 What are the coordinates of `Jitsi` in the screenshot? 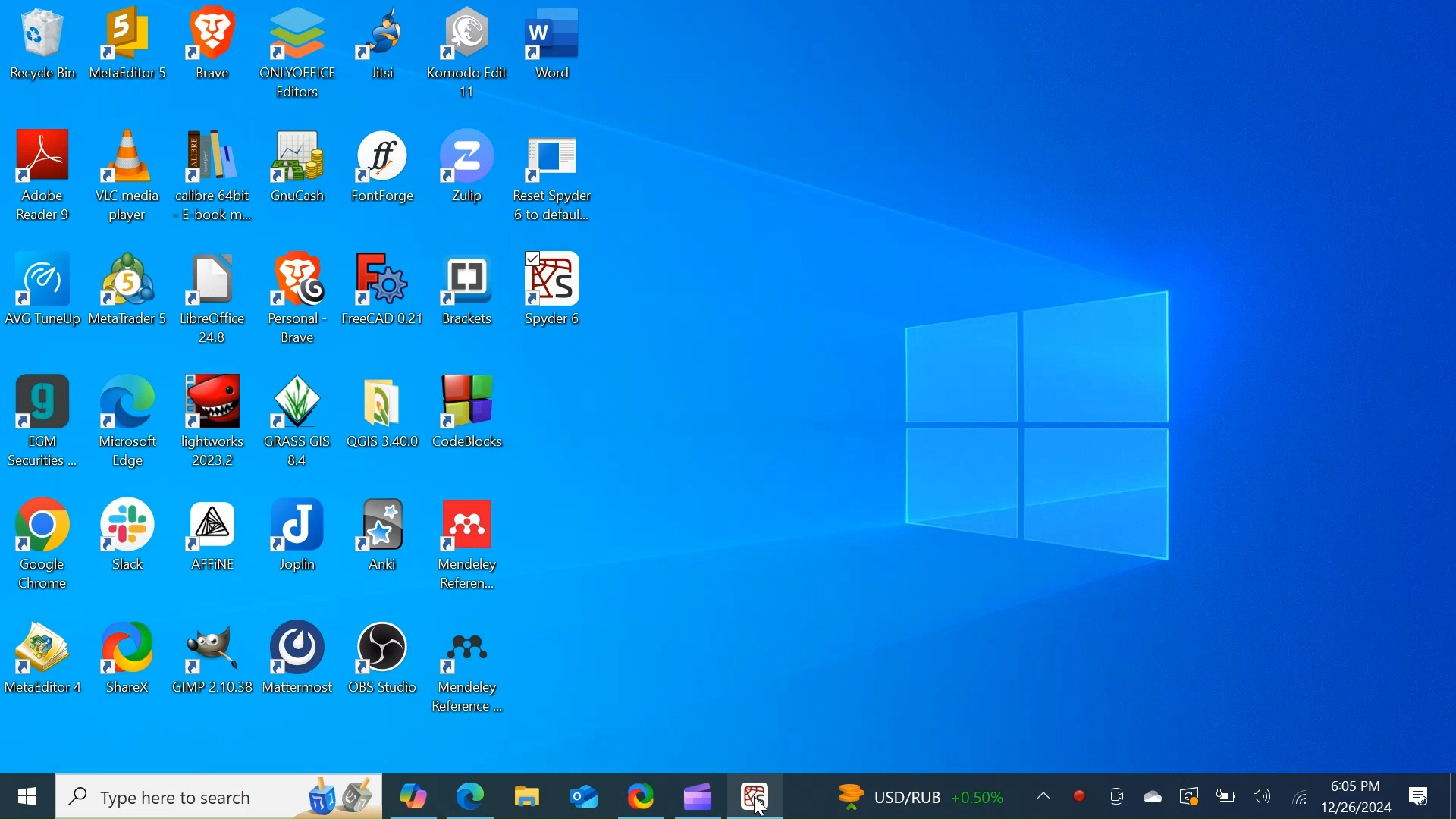 It's located at (384, 55).